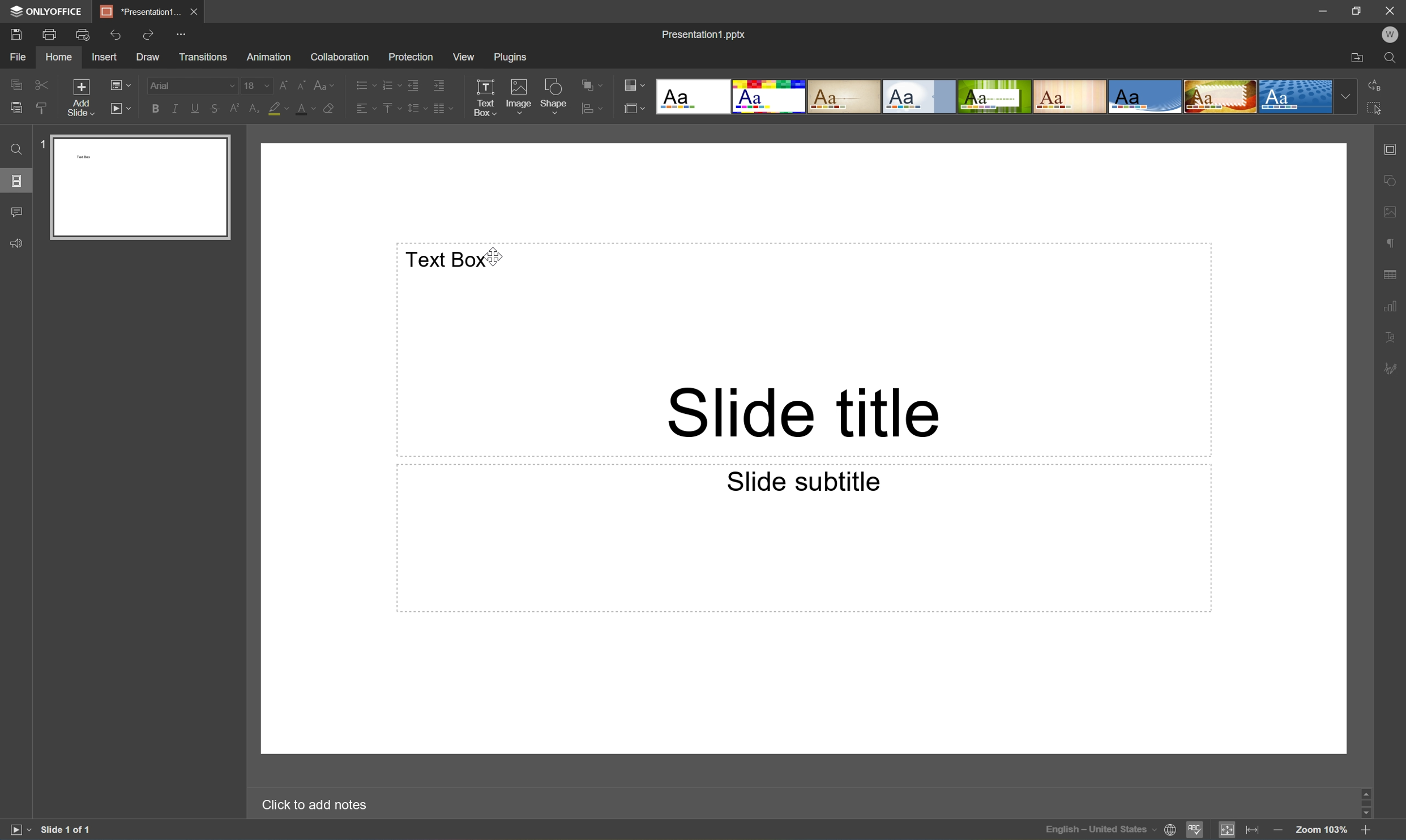  What do you see at coordinates (1393, 36) in the screenshot?
I see `W` at bounding box center [1393, 36].